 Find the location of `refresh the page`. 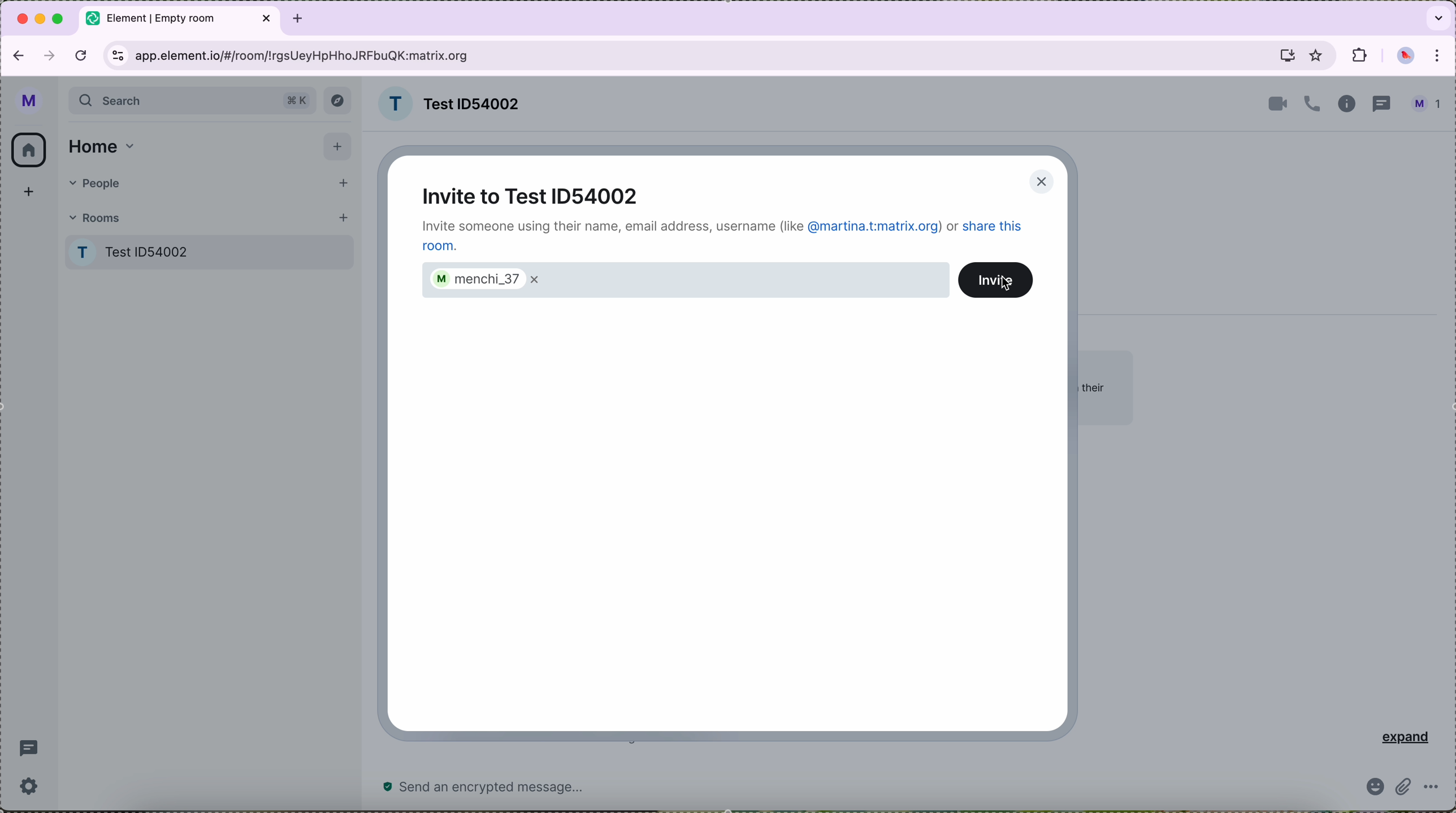

refresh the page is located at coordinates (81, 55).